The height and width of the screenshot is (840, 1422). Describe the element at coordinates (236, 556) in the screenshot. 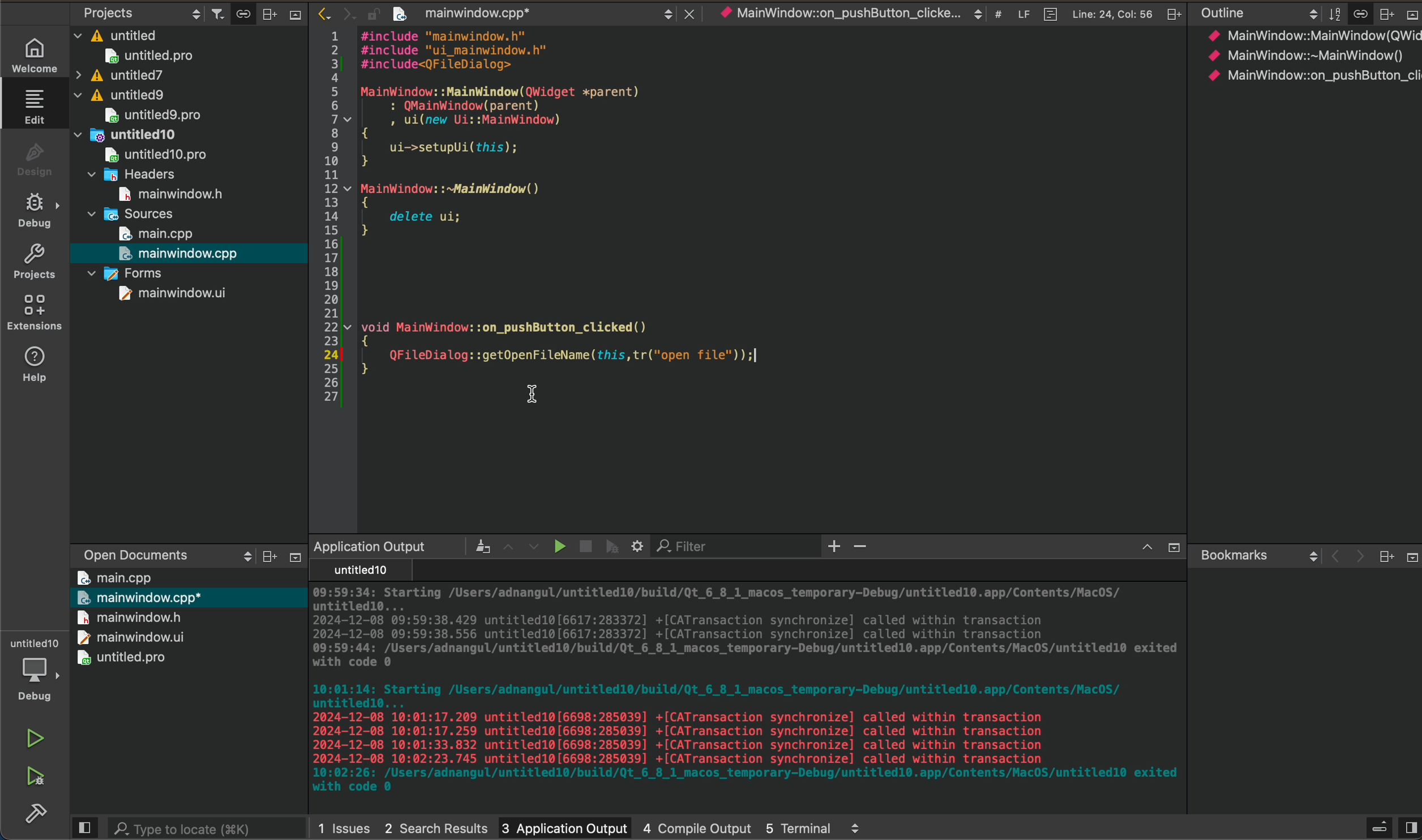

I see `scroll` at that location.